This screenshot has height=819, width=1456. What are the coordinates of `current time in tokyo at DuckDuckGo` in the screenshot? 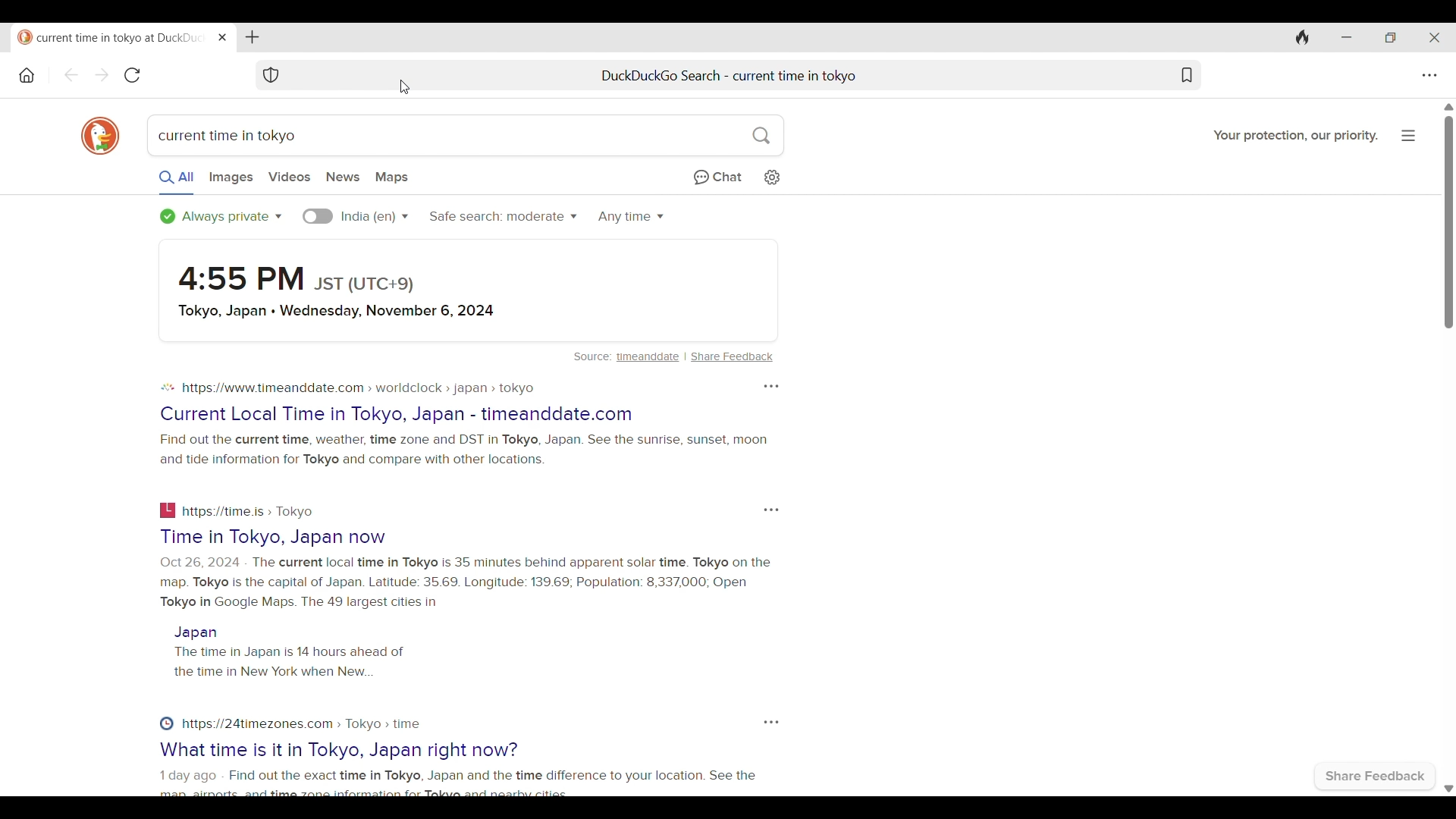 It's located at (111, 39).